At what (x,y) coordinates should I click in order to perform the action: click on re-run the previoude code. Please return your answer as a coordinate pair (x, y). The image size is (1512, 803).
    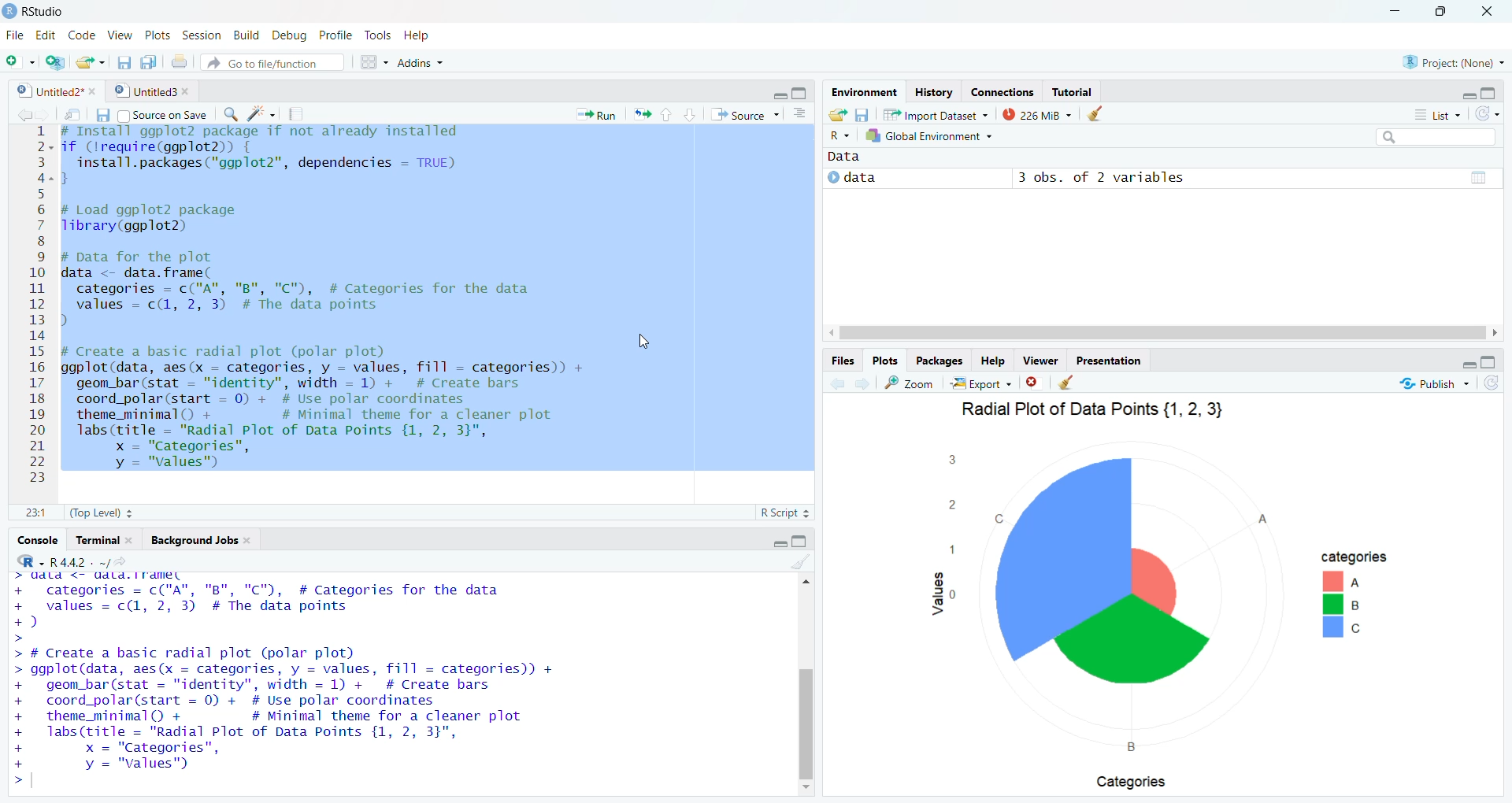
    Looking at the image, I should click on (642, 115).